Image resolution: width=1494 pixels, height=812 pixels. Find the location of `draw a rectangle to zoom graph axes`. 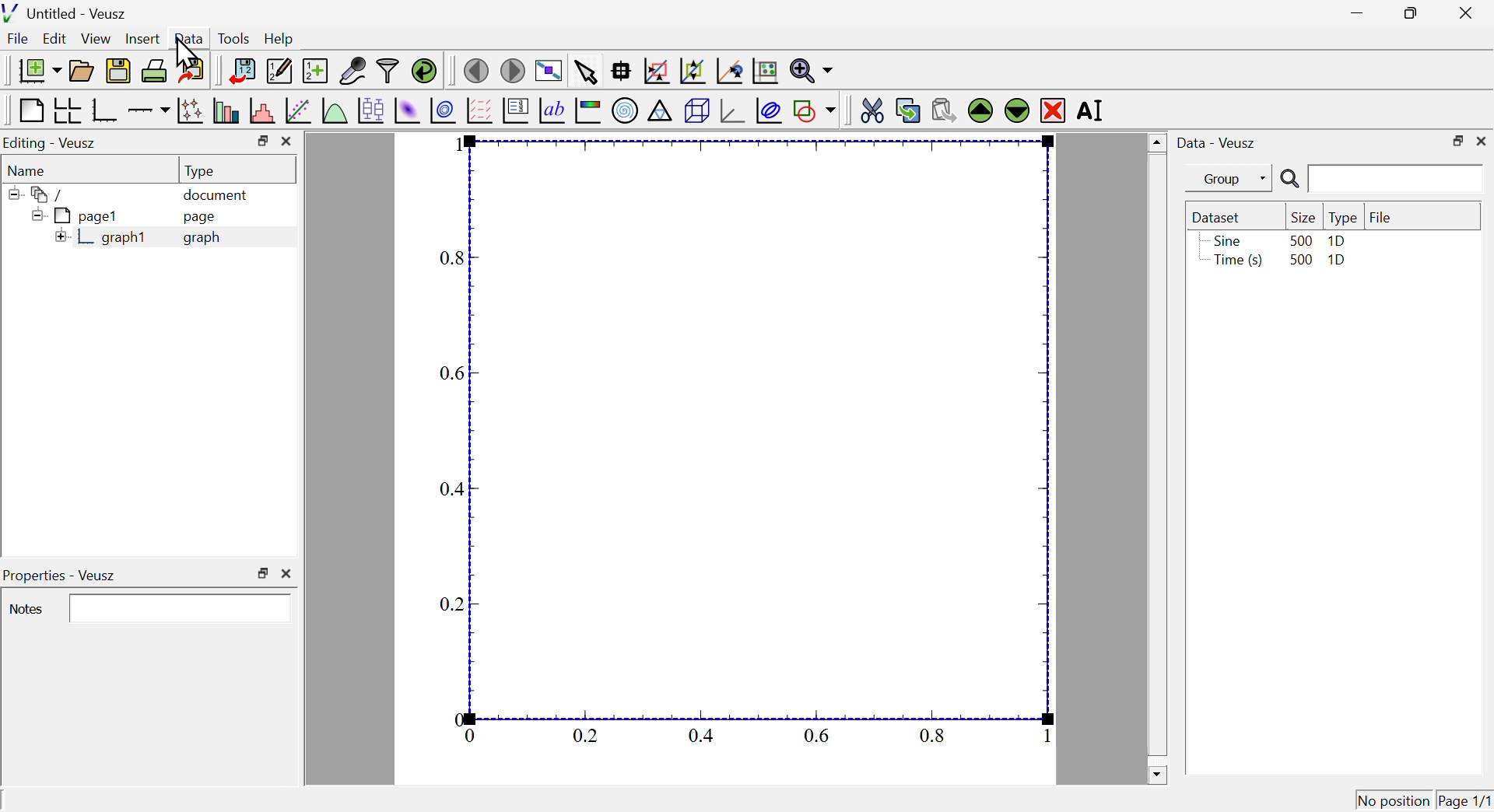

draw a rectangle to zoom graph axes is located at coordinates (656, 71).